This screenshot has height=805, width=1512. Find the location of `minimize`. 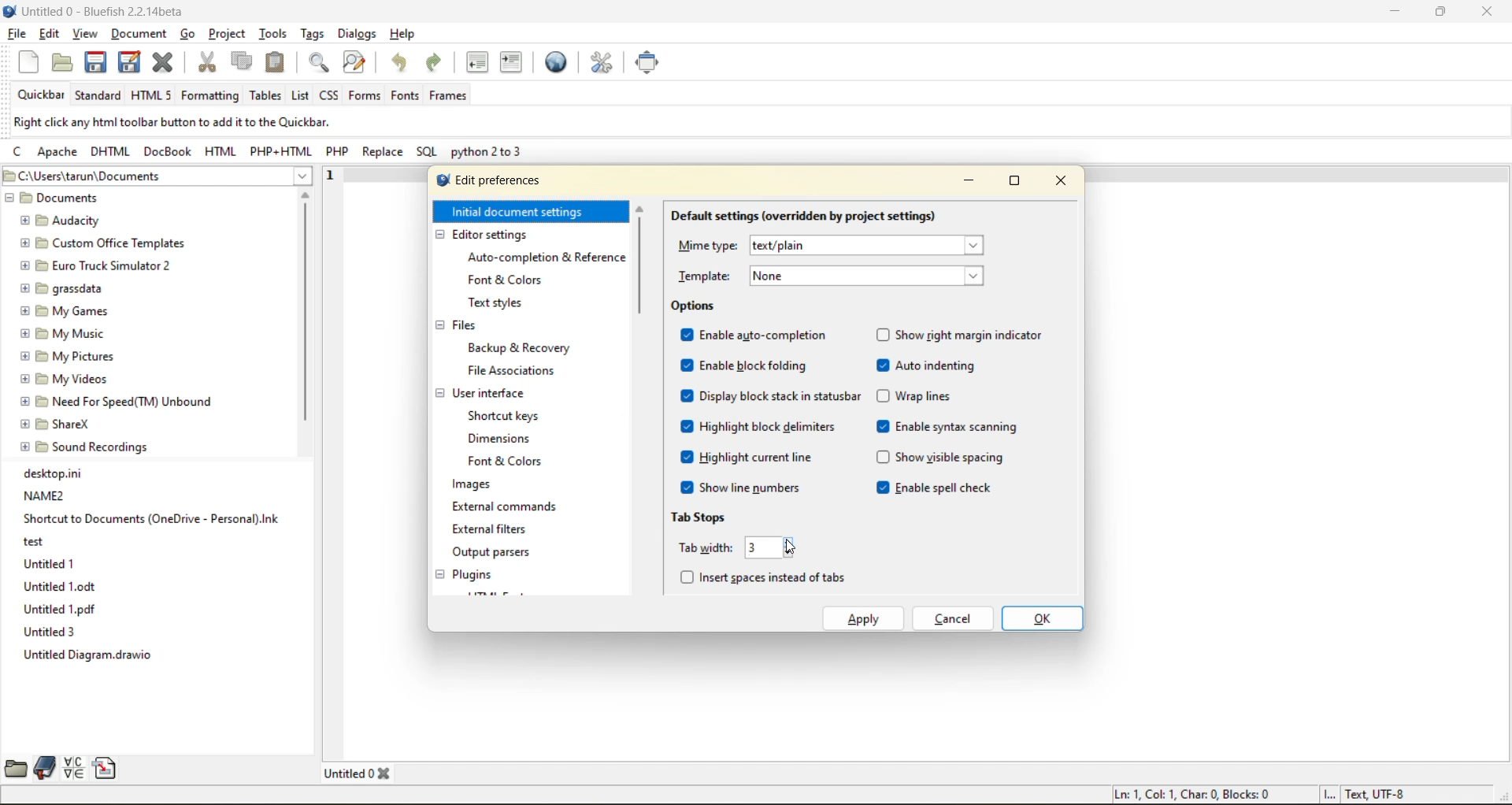

minimize is located at coordinates (964, 184).